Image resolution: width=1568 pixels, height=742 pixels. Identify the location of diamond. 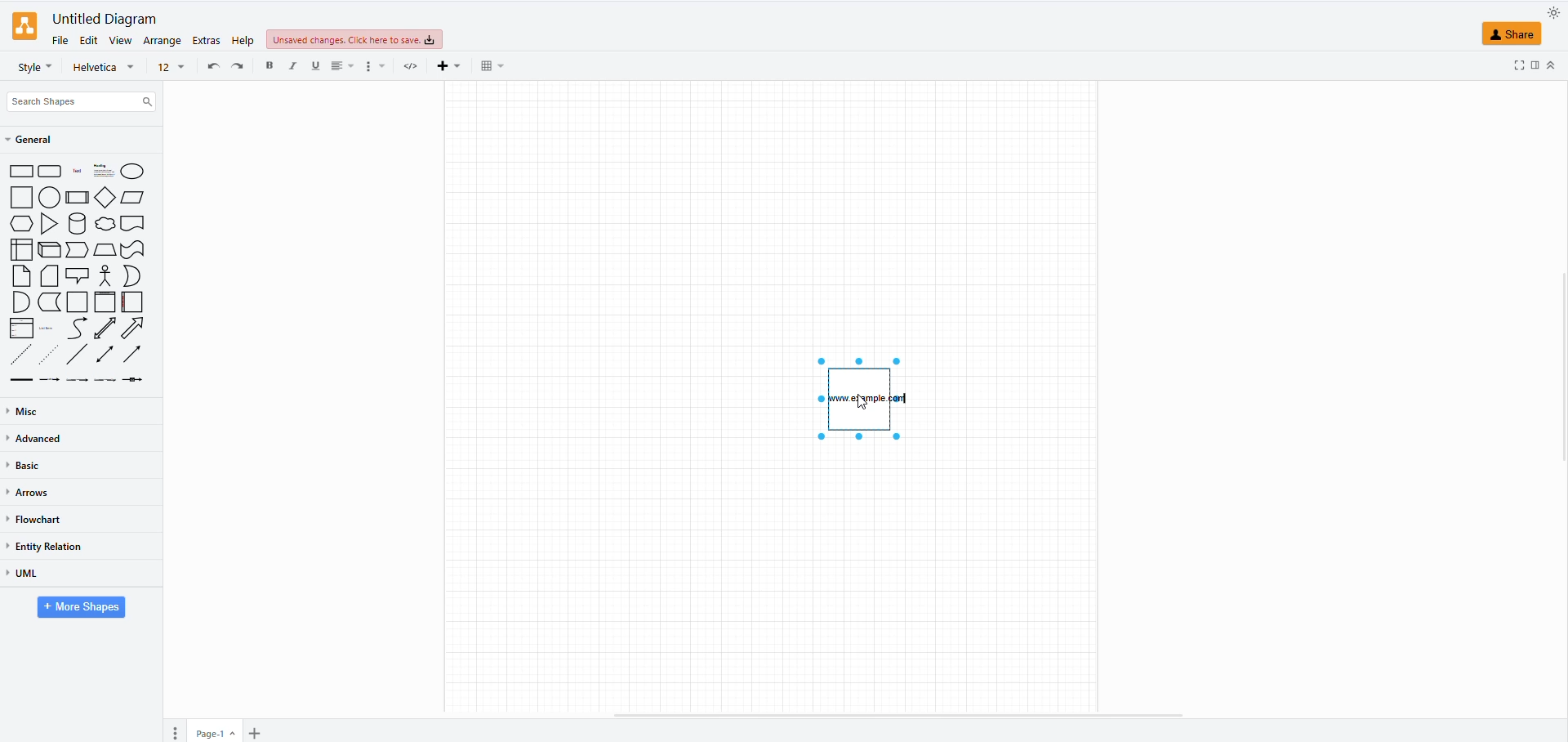
(105, 197).